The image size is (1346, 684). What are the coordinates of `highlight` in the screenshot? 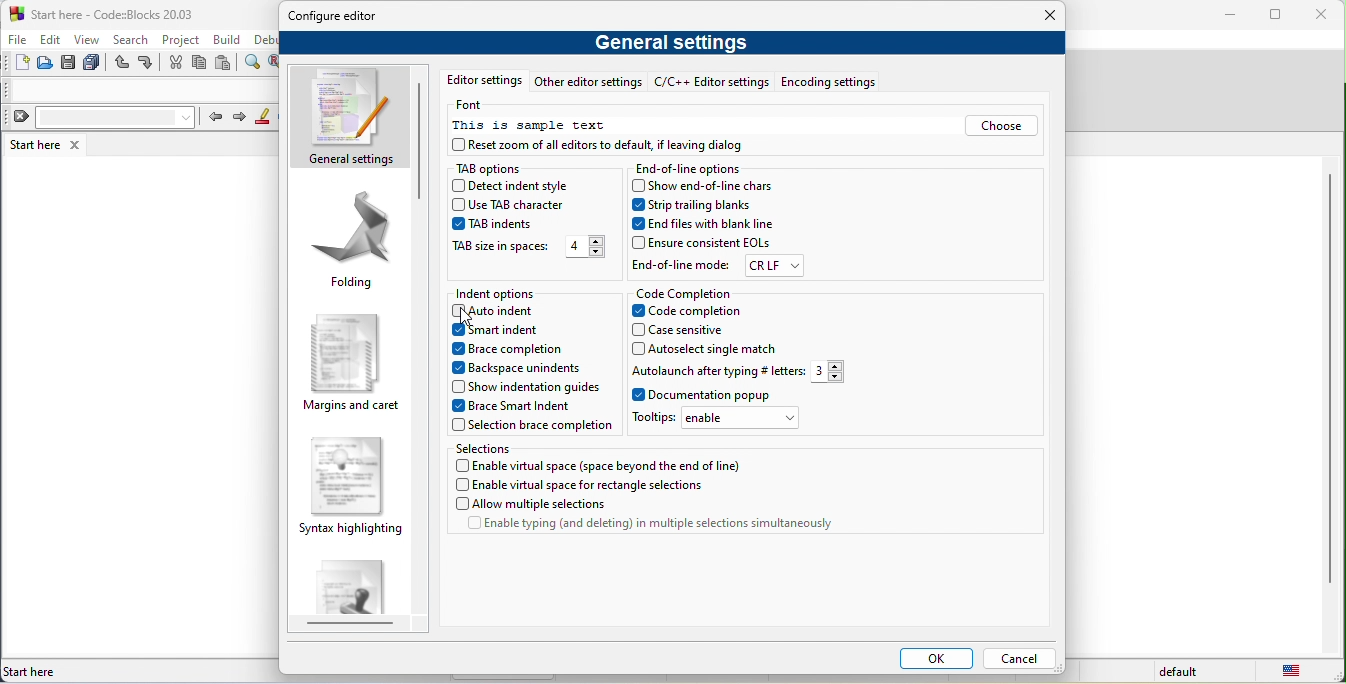 It's located at (270, 118).